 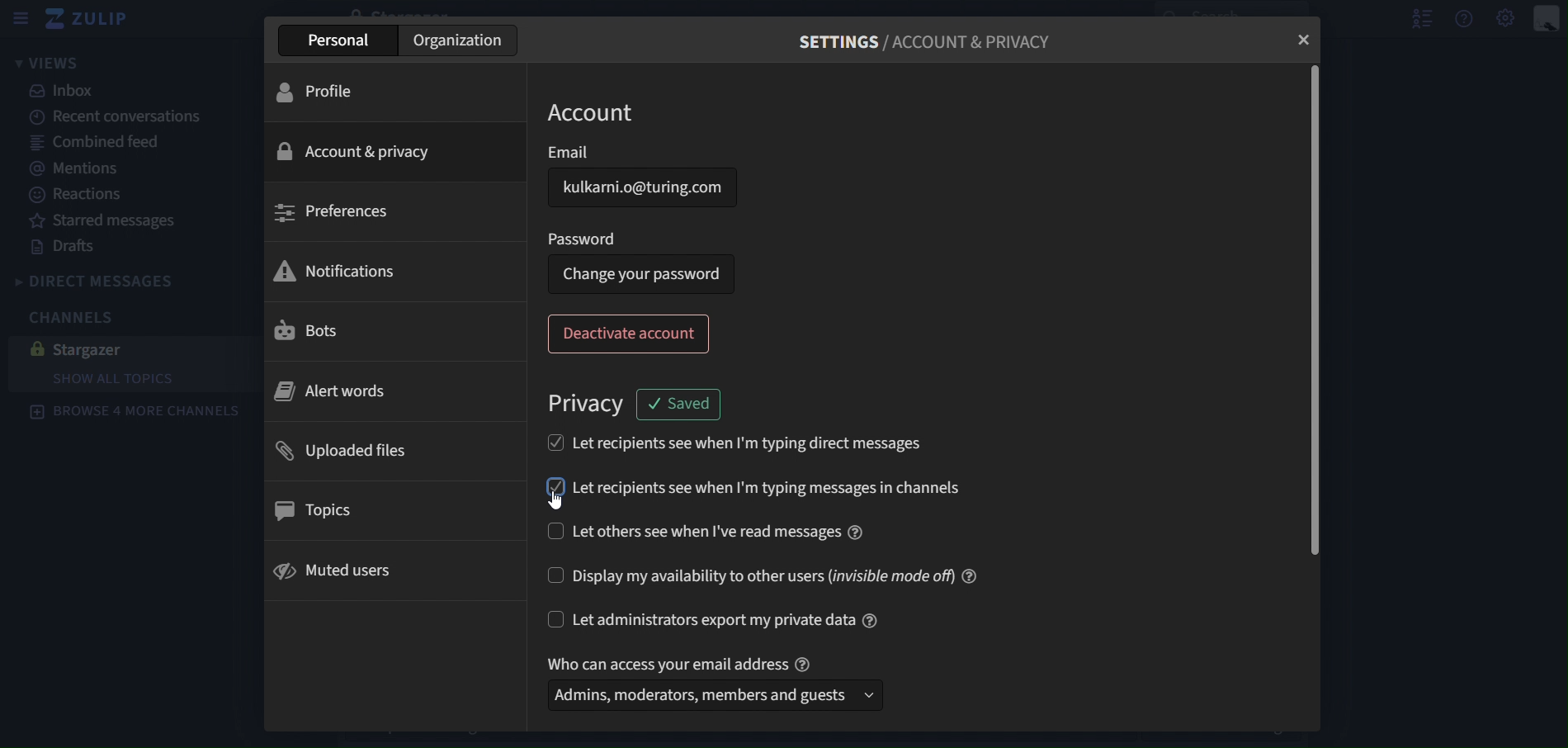 What do you see at coordinates (341, 40) in the screenshot?
I see `personal` at bounding box center [341, 40].